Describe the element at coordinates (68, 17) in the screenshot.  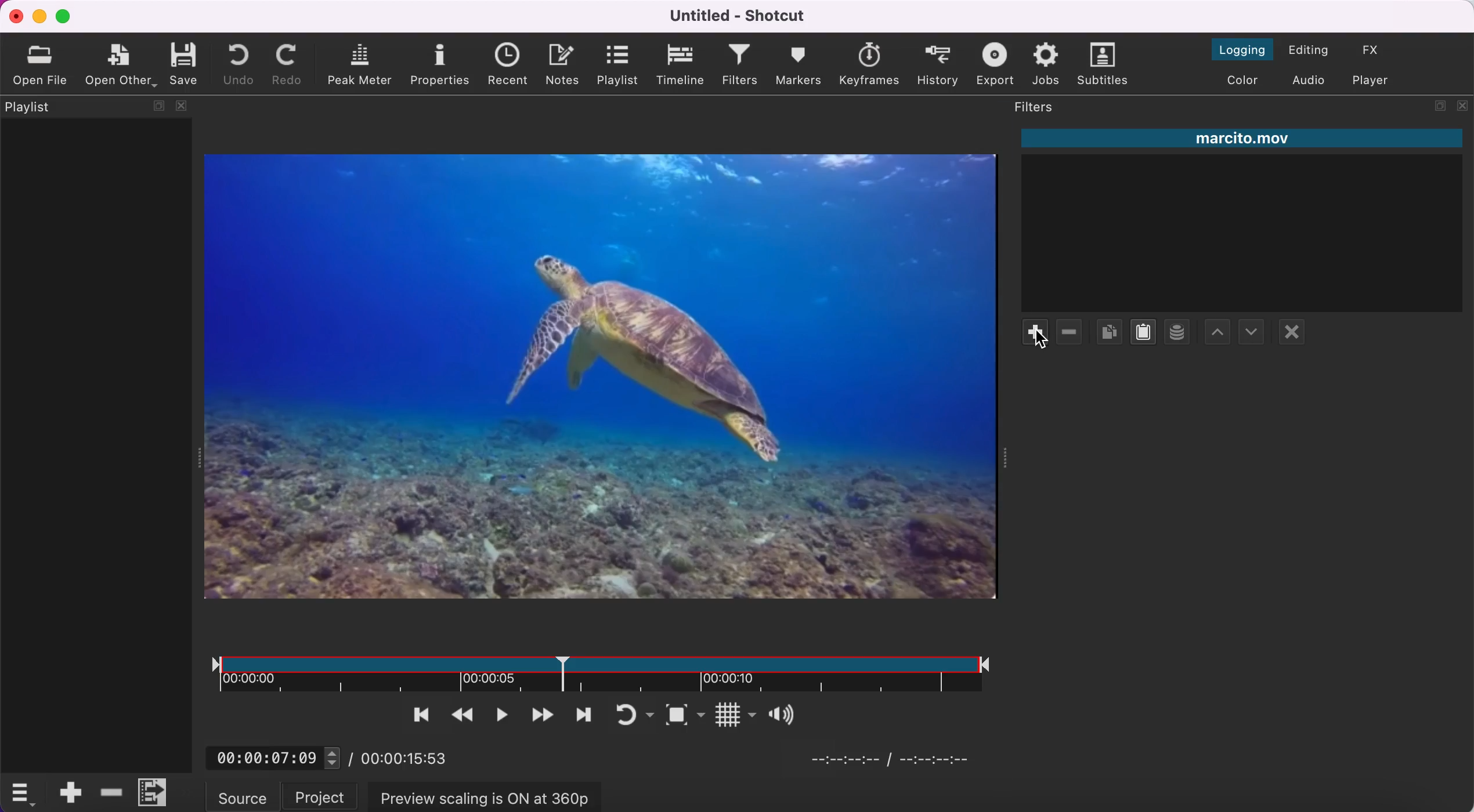
I see `maximize` at that location.